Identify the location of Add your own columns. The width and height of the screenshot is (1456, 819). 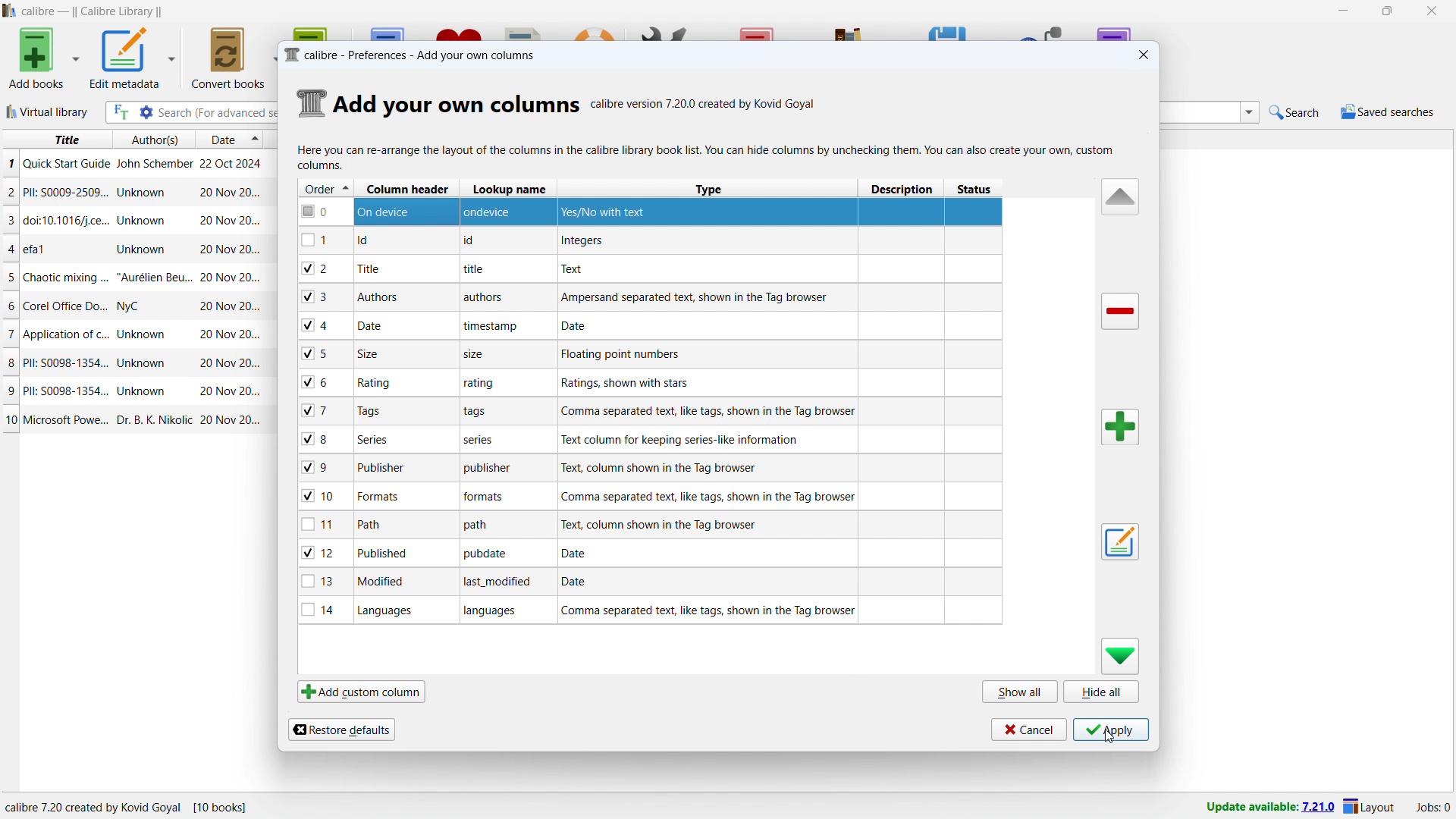
(457, 106).